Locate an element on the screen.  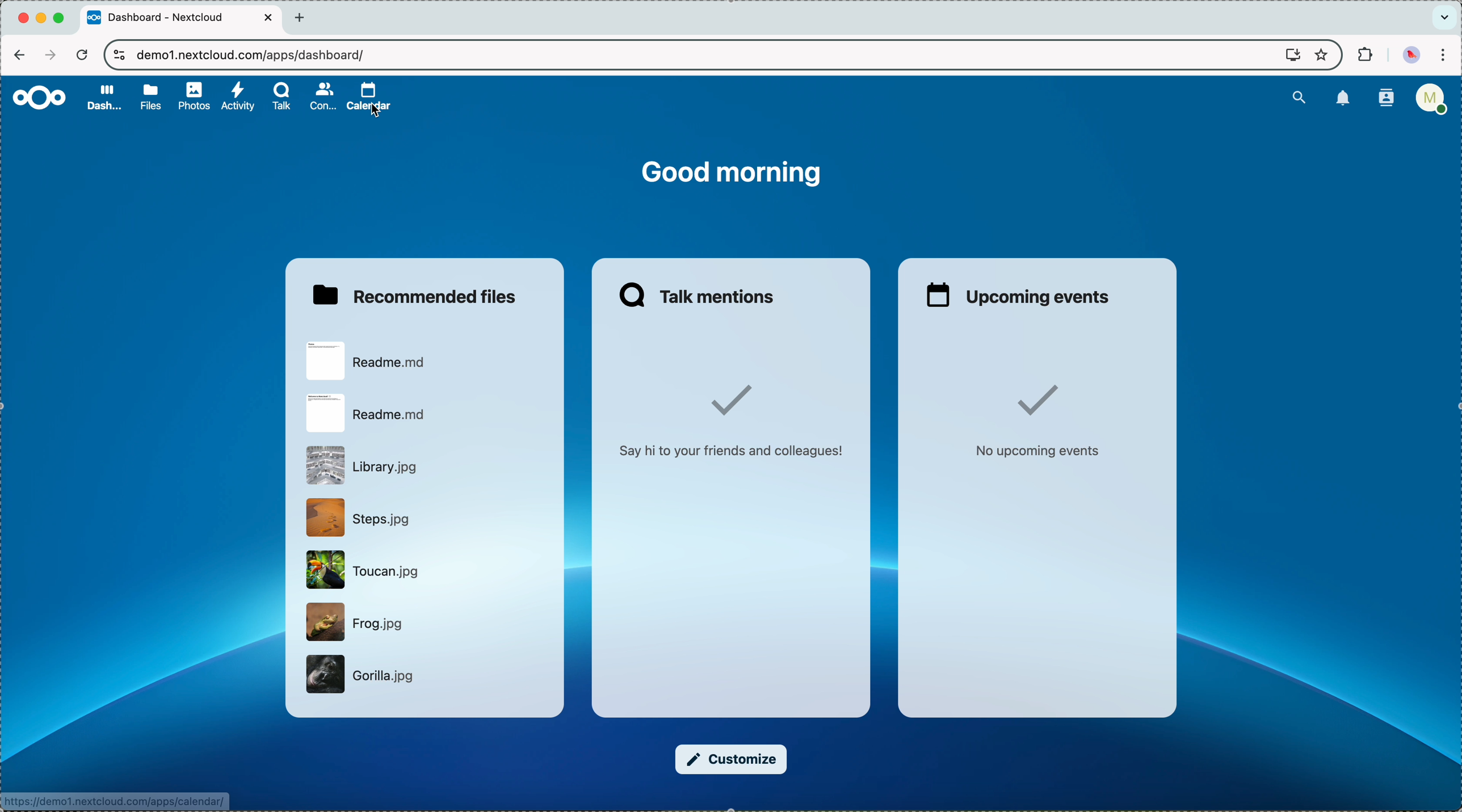
user profile is located at coordinates (1431, 102).